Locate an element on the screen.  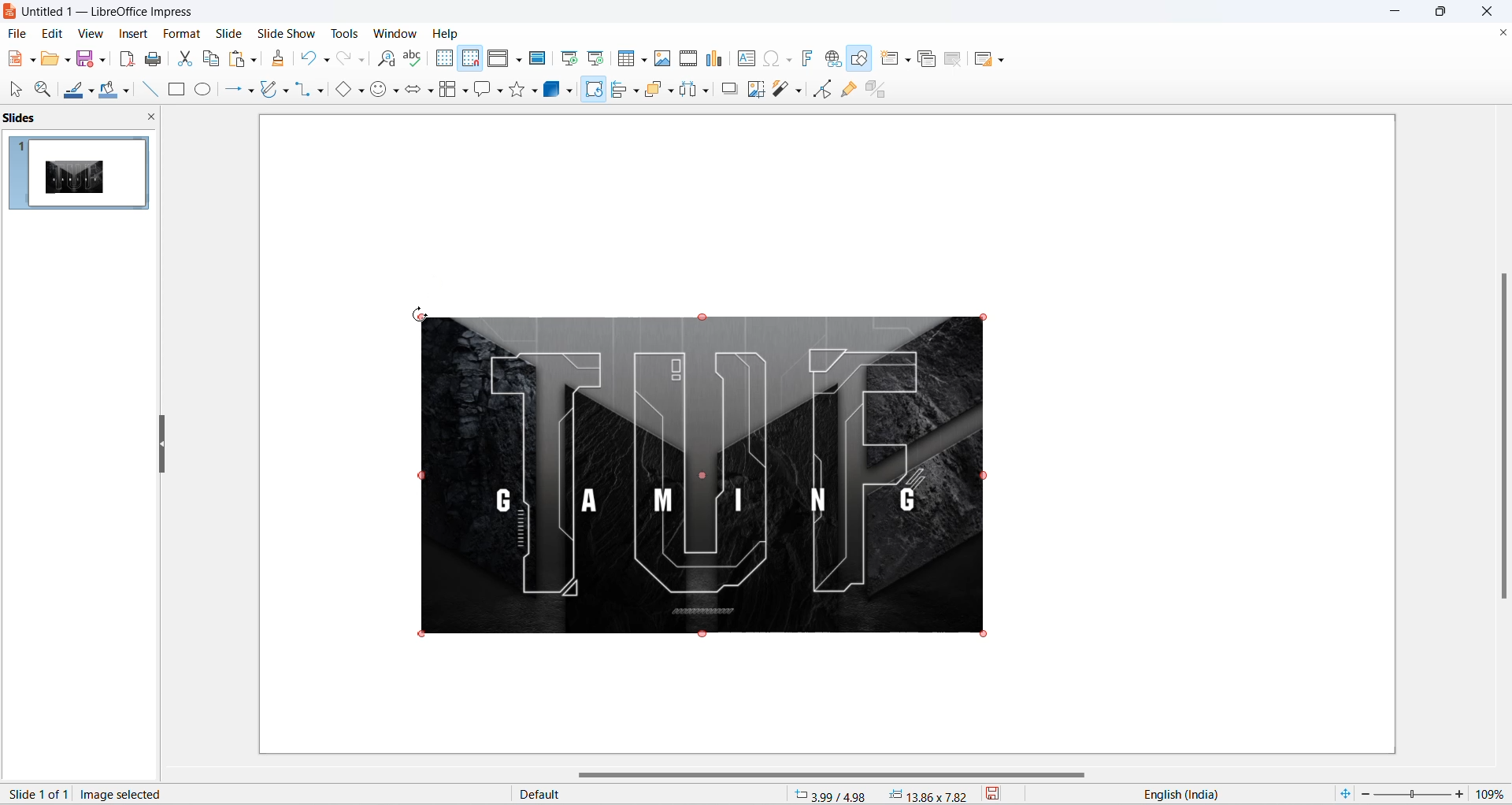
resize is located at coordinates (162, 446).